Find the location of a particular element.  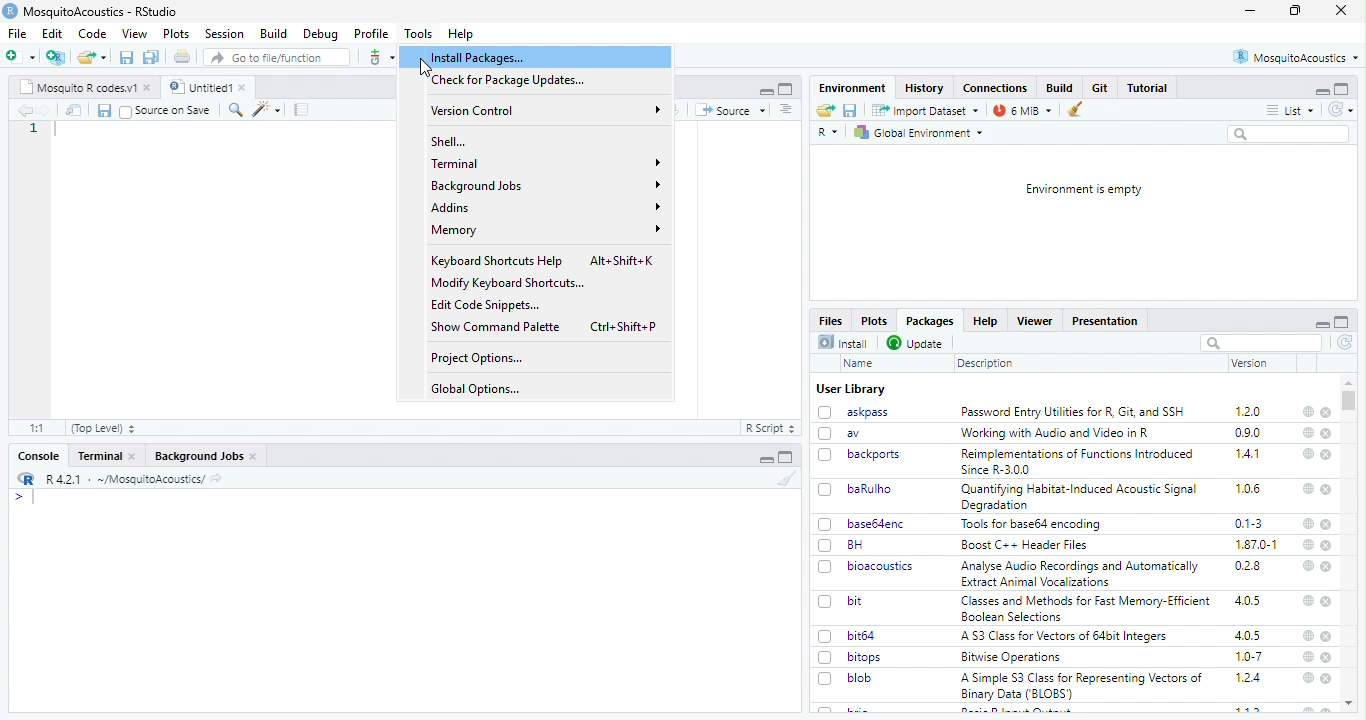

close is located at coordinates (1327, 658).